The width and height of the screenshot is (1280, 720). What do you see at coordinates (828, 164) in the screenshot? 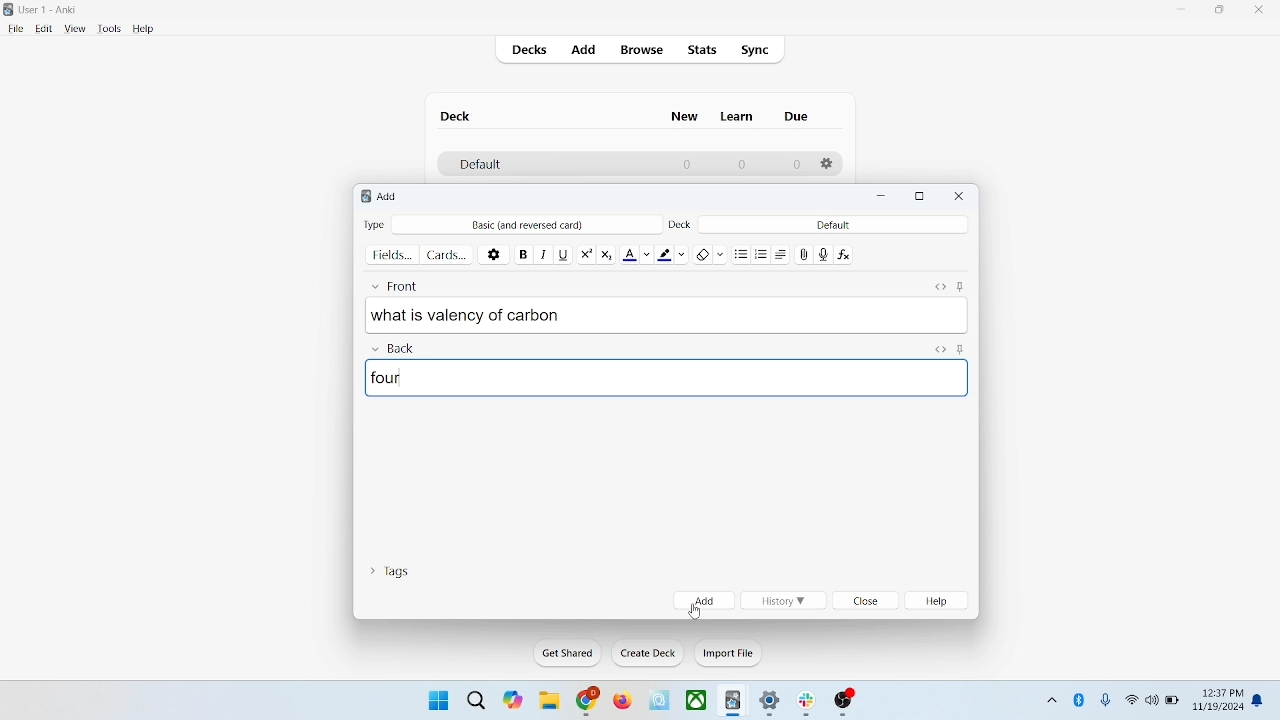
I see `options` at bounding box center [828, 164].